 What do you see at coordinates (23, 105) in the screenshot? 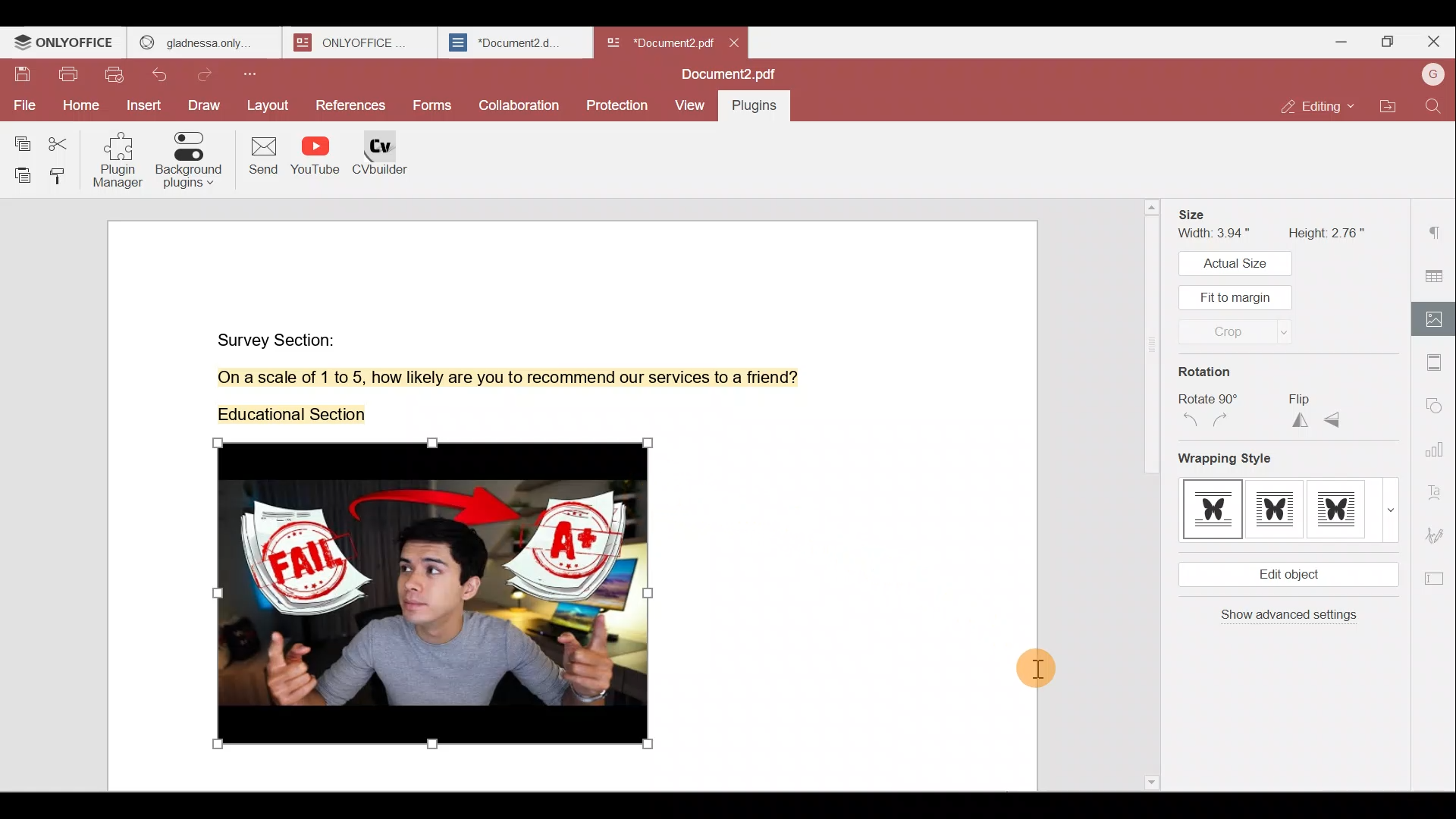
I see `File` at bounding box center [23, 105].